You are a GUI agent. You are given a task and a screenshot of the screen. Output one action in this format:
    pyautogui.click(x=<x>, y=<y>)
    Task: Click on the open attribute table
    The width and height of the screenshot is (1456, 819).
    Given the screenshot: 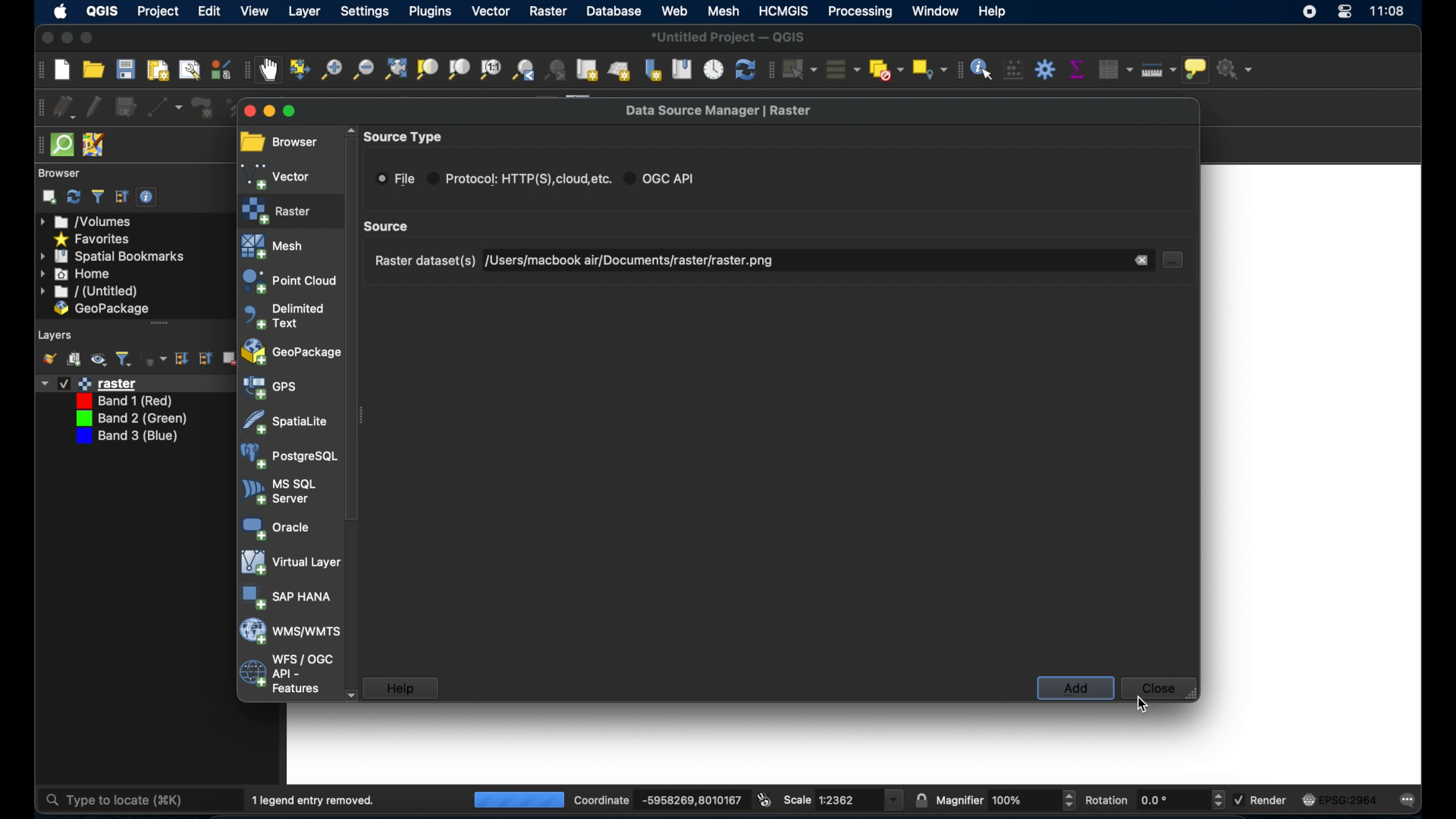 What is the action you would take?
    pyautogui.click(x=1112, y=67)
    